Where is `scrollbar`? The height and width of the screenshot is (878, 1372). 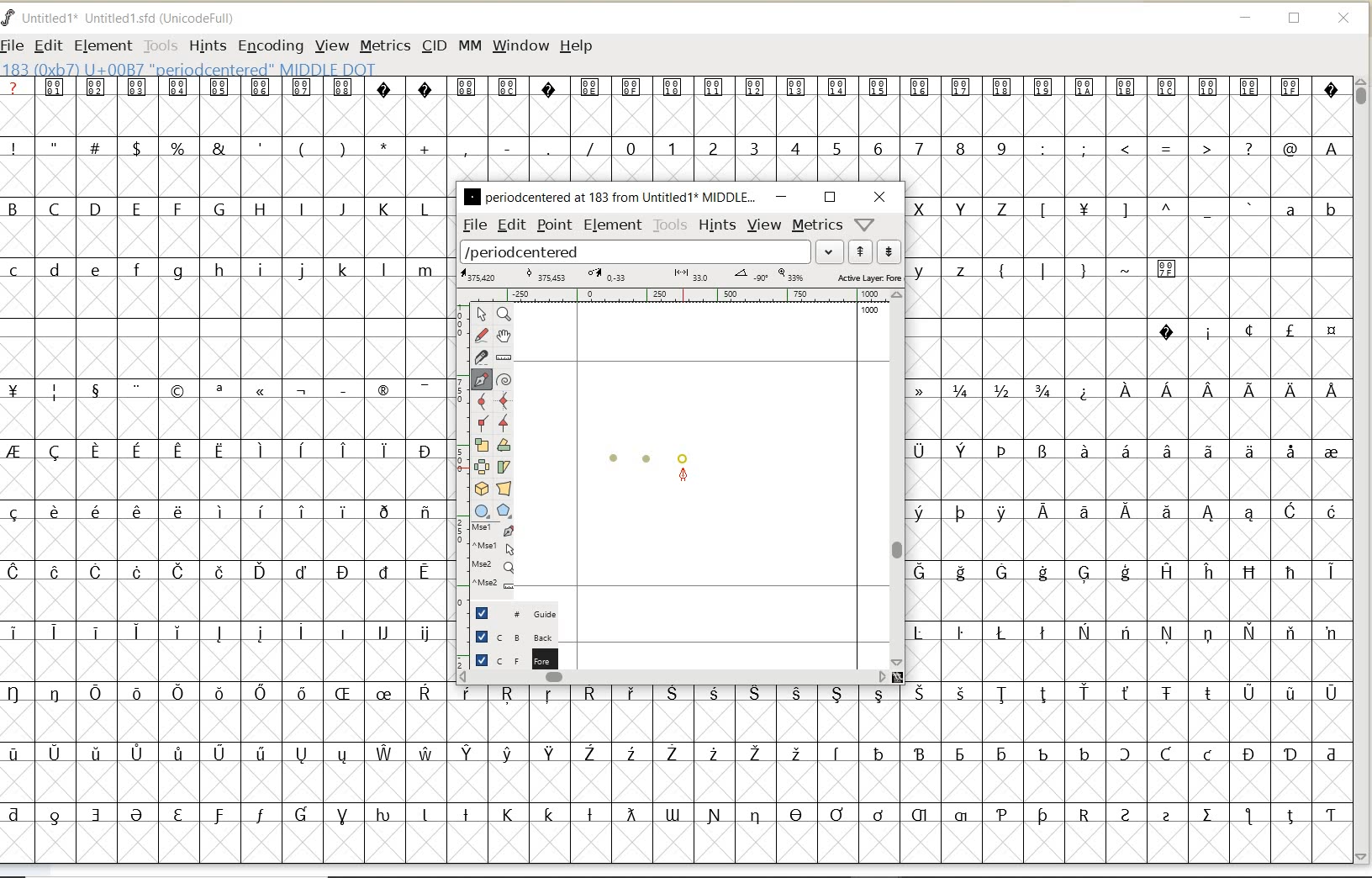 scrollbar is located at coordinates (899, 478).